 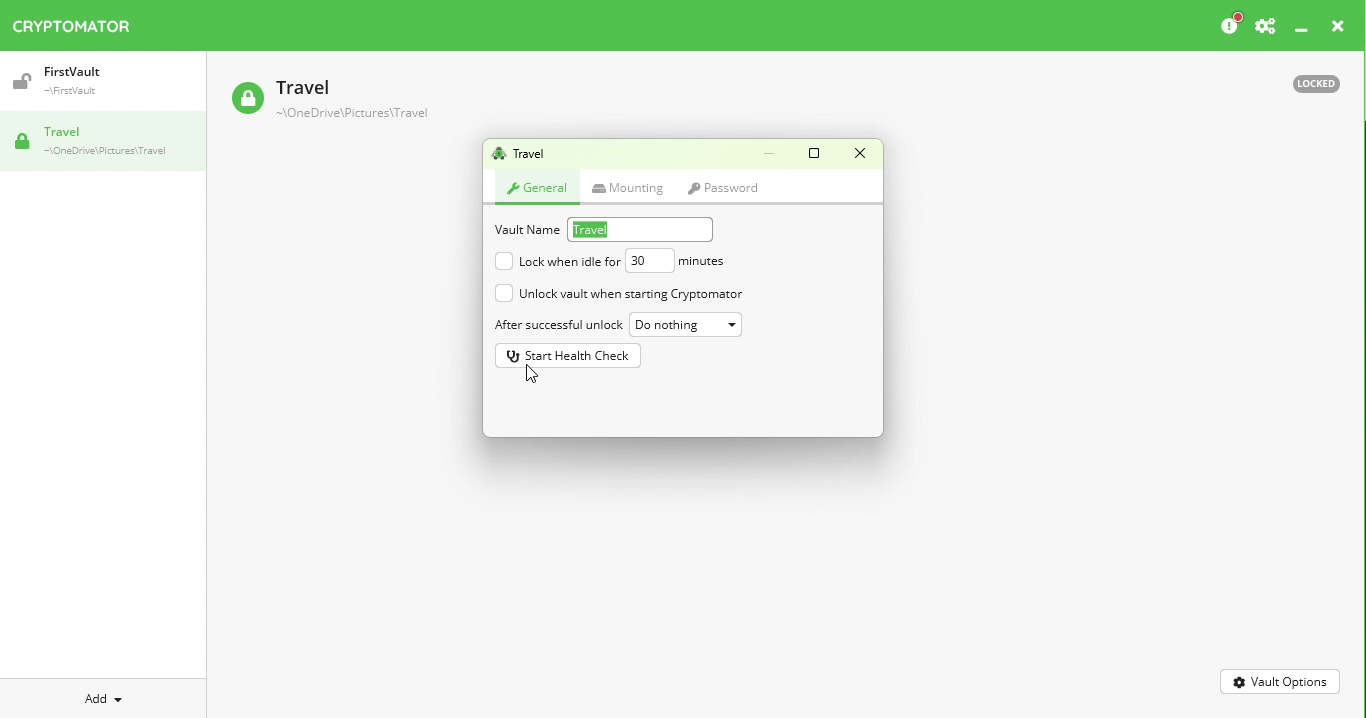 What do you see at coordinates (67, 76) in the screenshot?
I see `Vault` at bounding box center [67, 76].